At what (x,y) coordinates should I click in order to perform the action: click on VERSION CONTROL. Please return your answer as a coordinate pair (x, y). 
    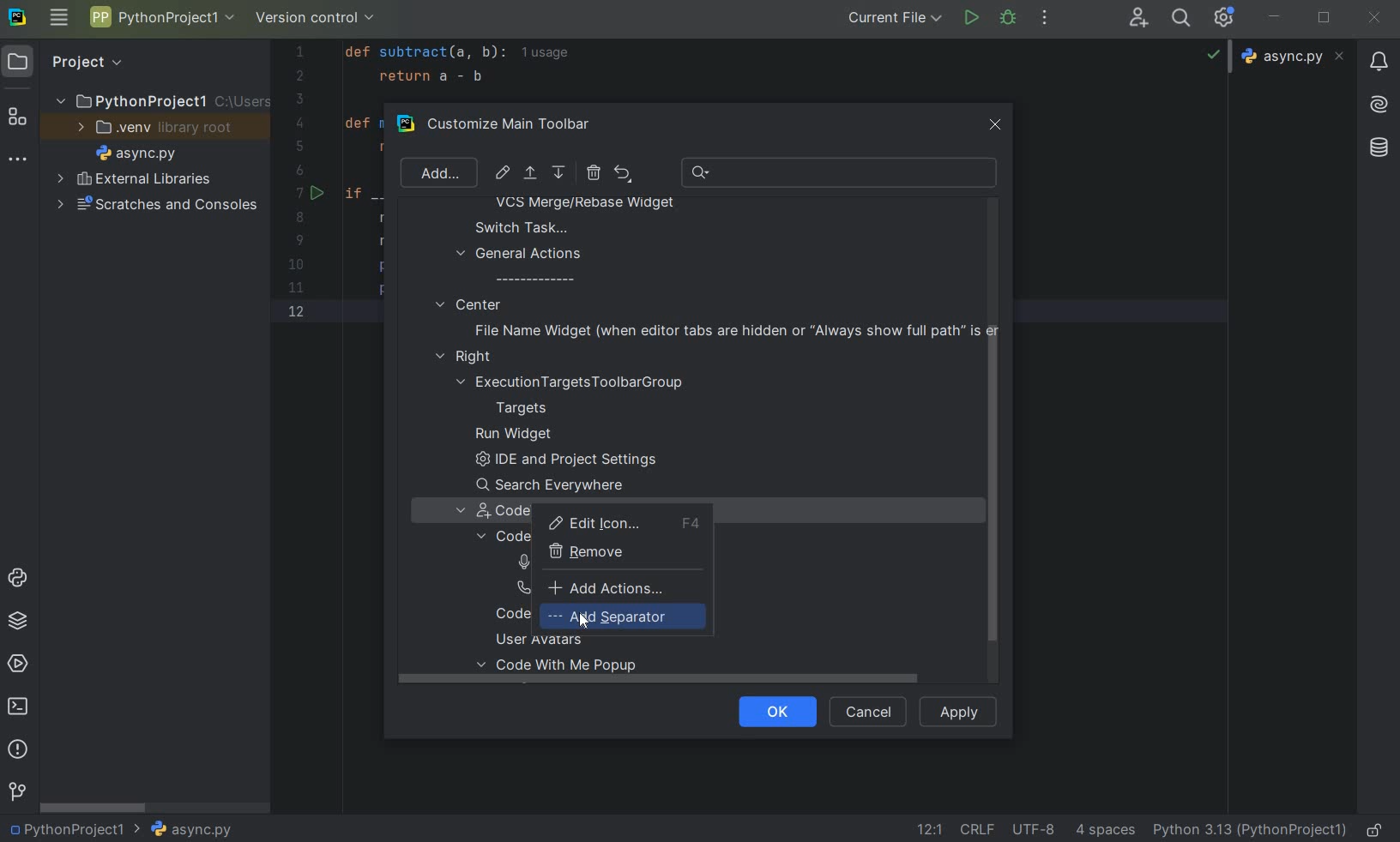
    Looking at the image, I should click on (16, 791).